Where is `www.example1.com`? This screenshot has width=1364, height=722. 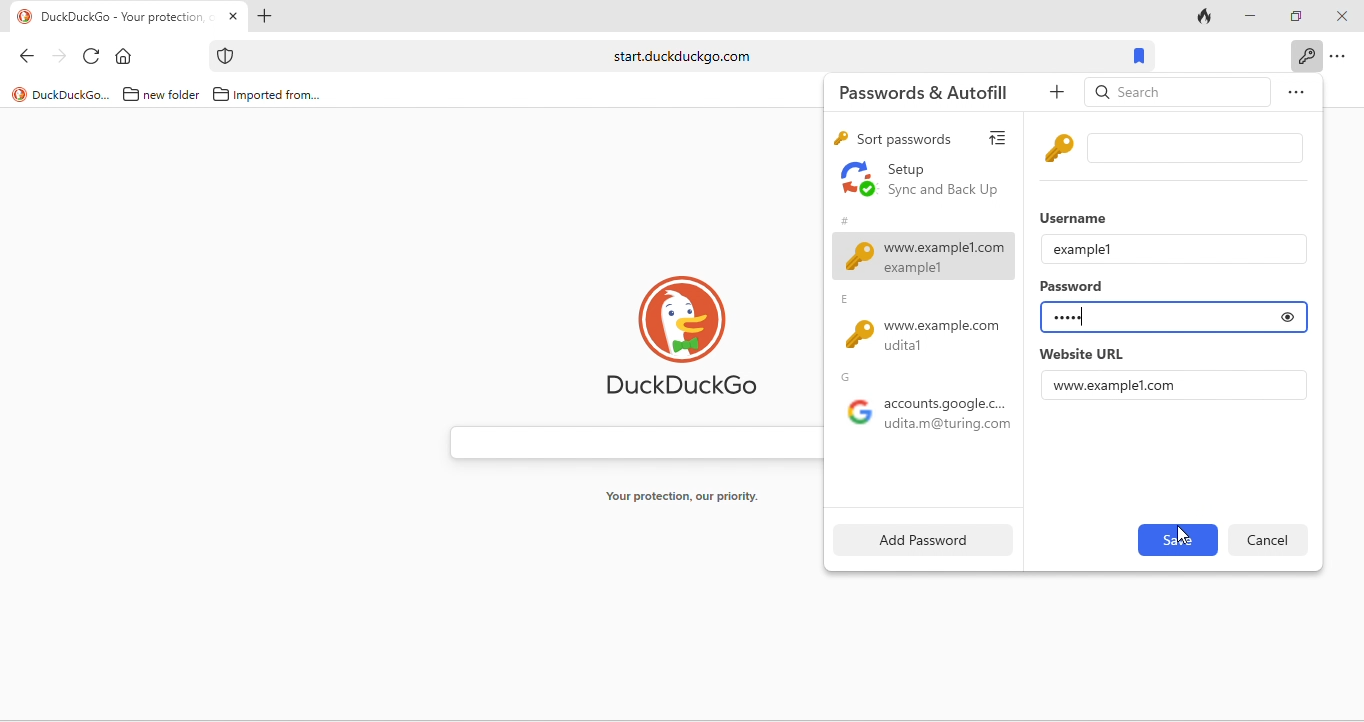
www.example1.com is located at coordinates (924, 256).